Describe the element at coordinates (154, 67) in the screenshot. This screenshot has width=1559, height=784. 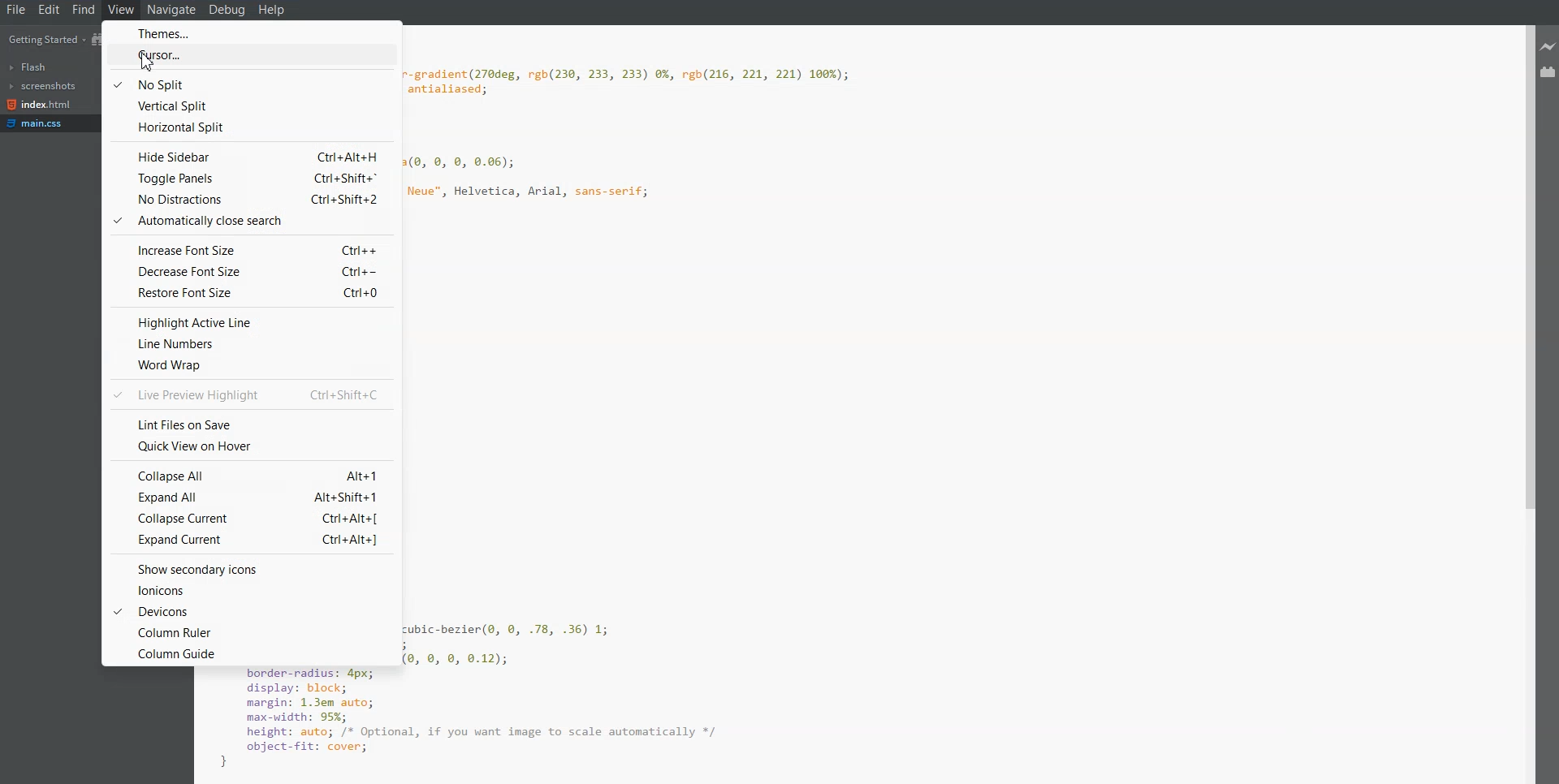
I see `Cursor` at that location.